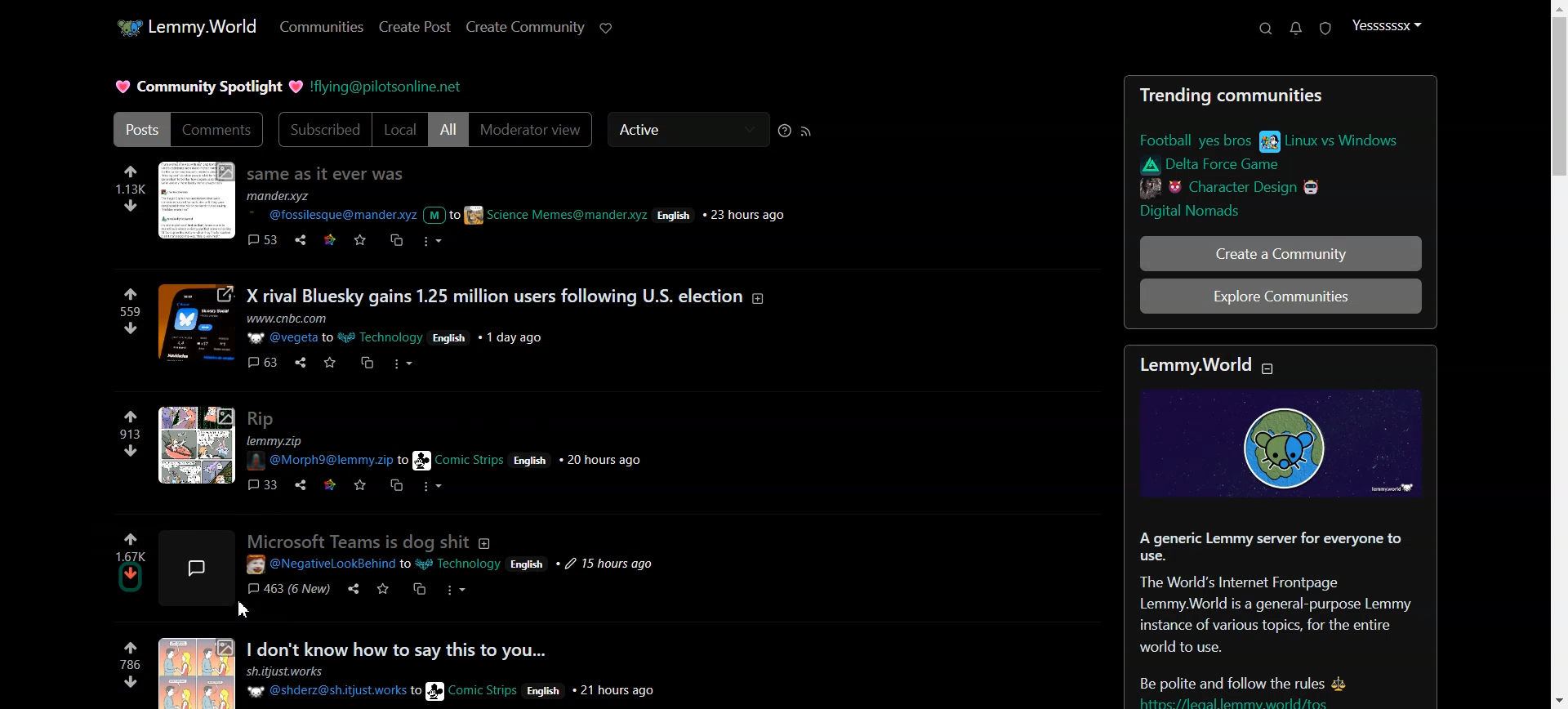 The height and width of the screenshot is (709, 1568). I want to click on Upvote, so click(131, 538).